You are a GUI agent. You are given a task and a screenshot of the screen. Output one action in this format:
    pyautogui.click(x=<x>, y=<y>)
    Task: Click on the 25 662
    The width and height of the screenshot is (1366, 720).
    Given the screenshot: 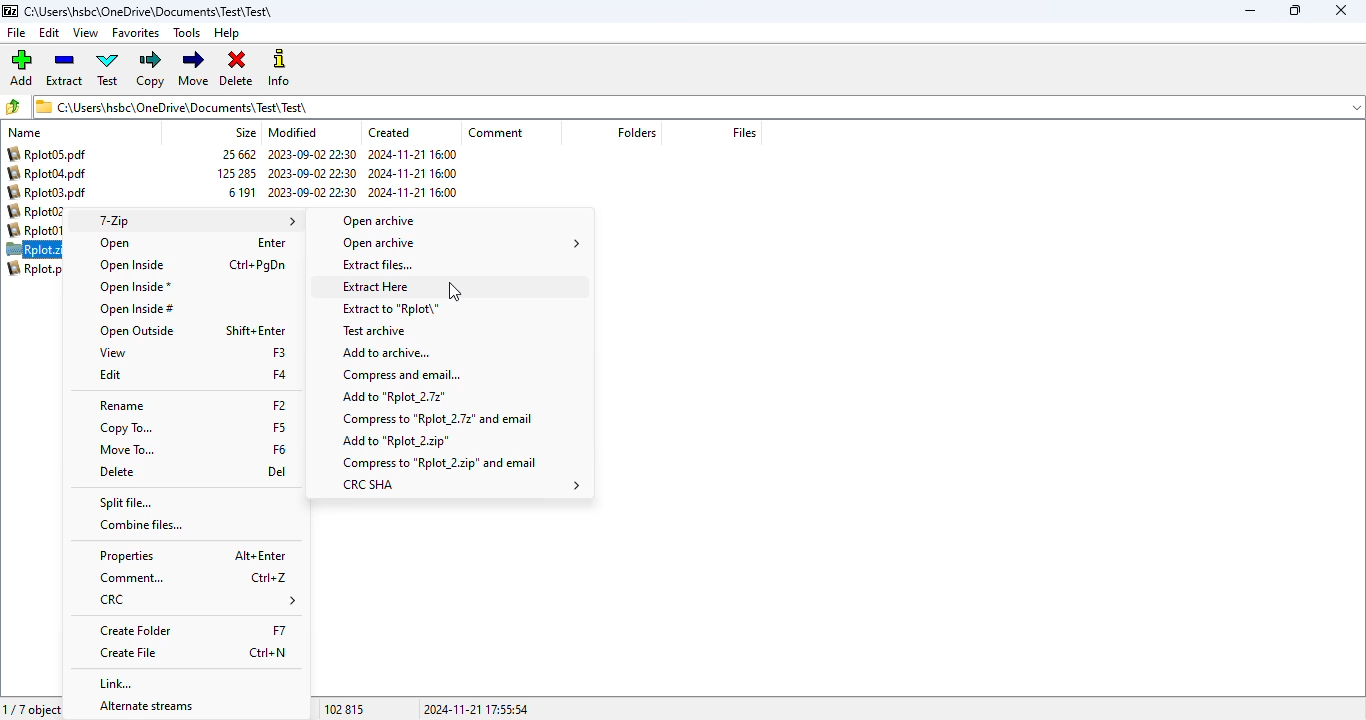 What is the action you would take?
    pyautogui.click(x=241, y=155)
    